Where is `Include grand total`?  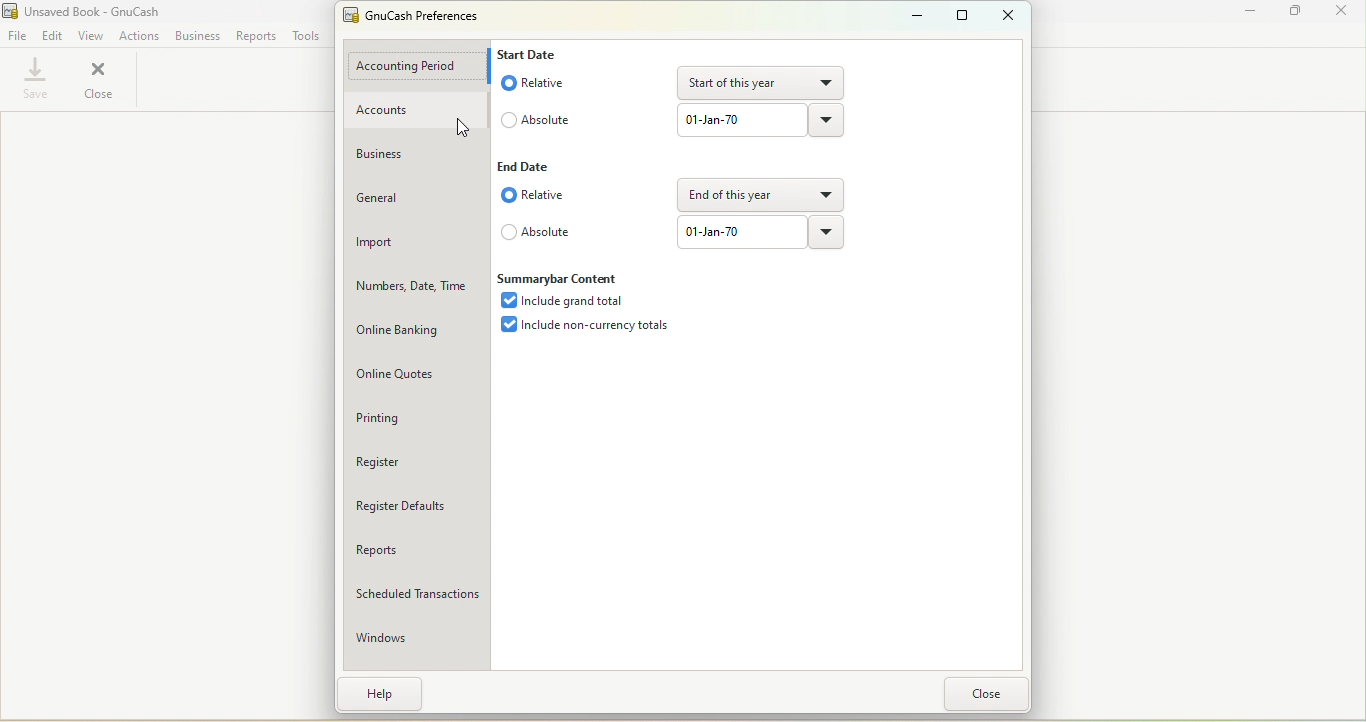 Include grand total is located at coordinates (571, 302).